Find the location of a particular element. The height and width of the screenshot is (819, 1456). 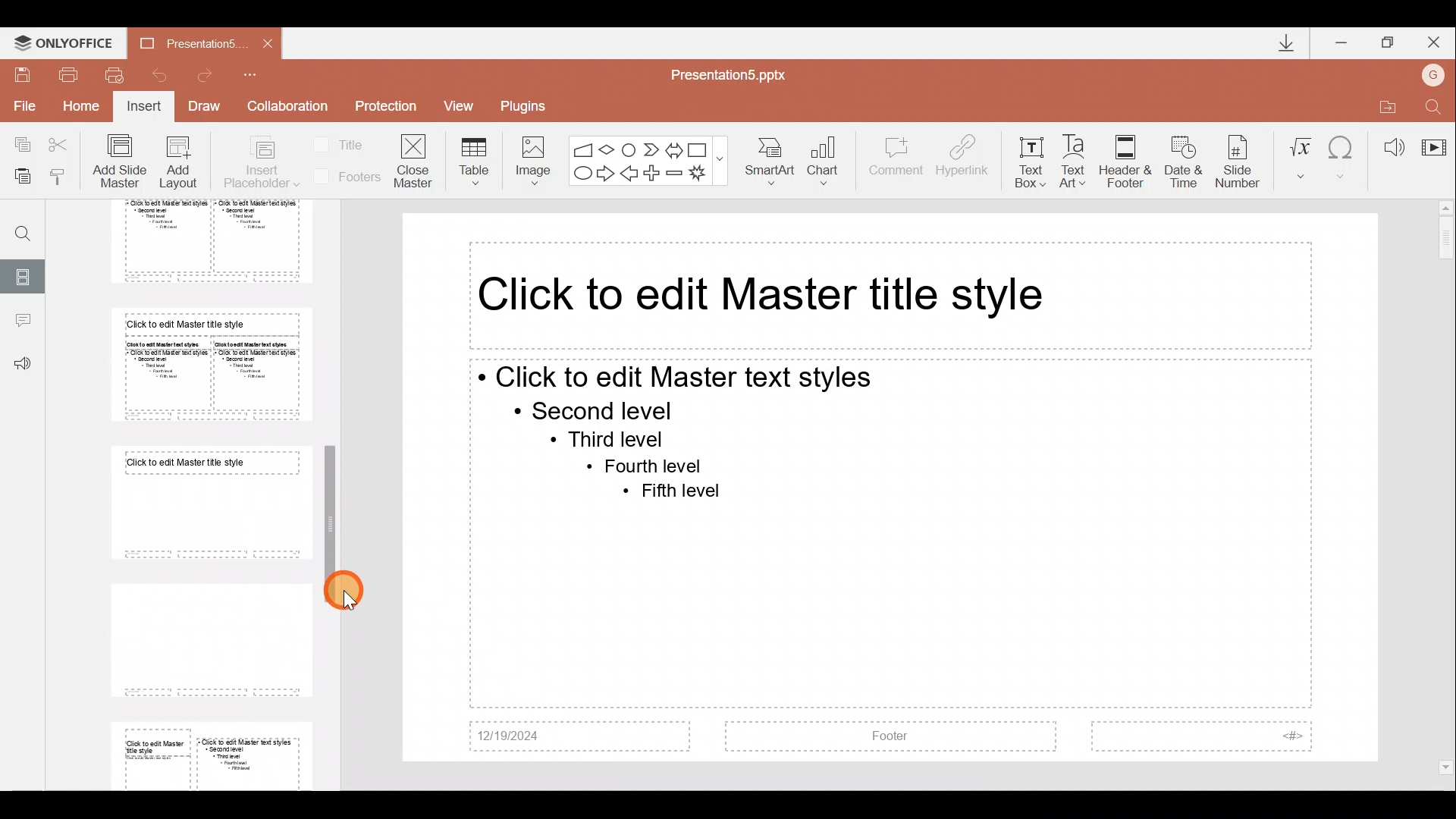

Cursor is located at coordinates (341, 592).